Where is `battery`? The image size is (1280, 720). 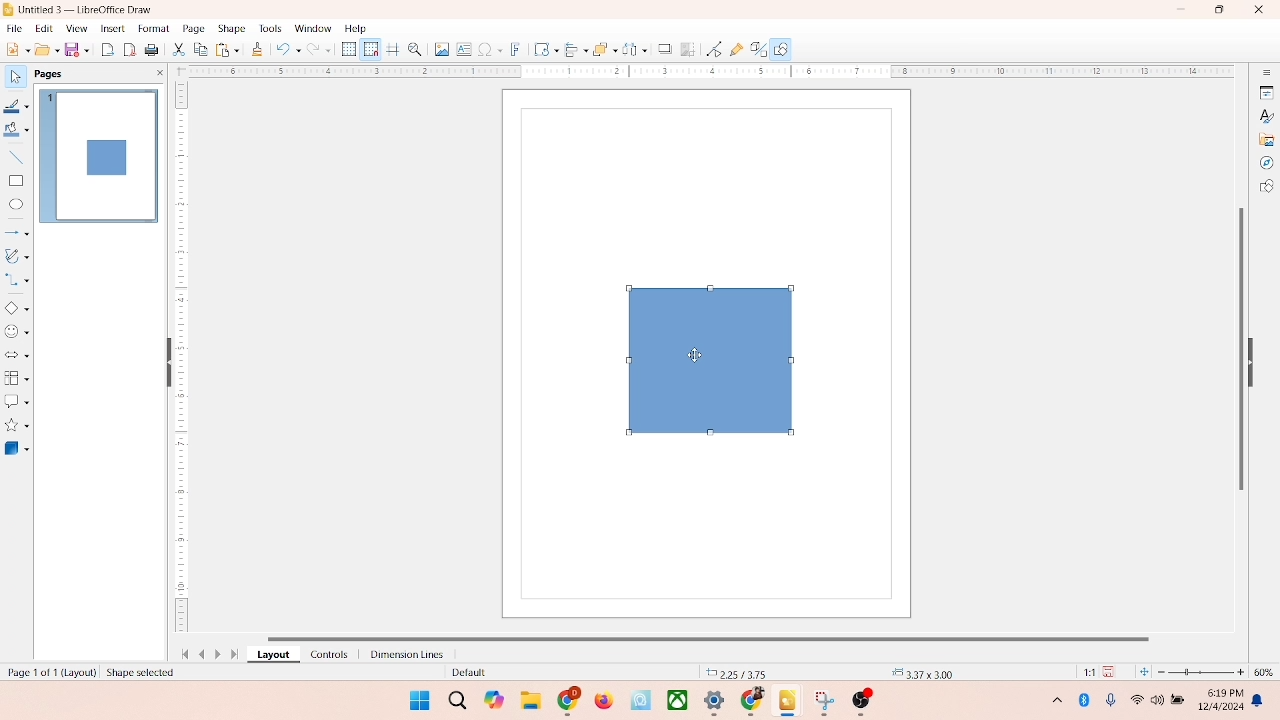
battery is located at coordinates (1180, 701).